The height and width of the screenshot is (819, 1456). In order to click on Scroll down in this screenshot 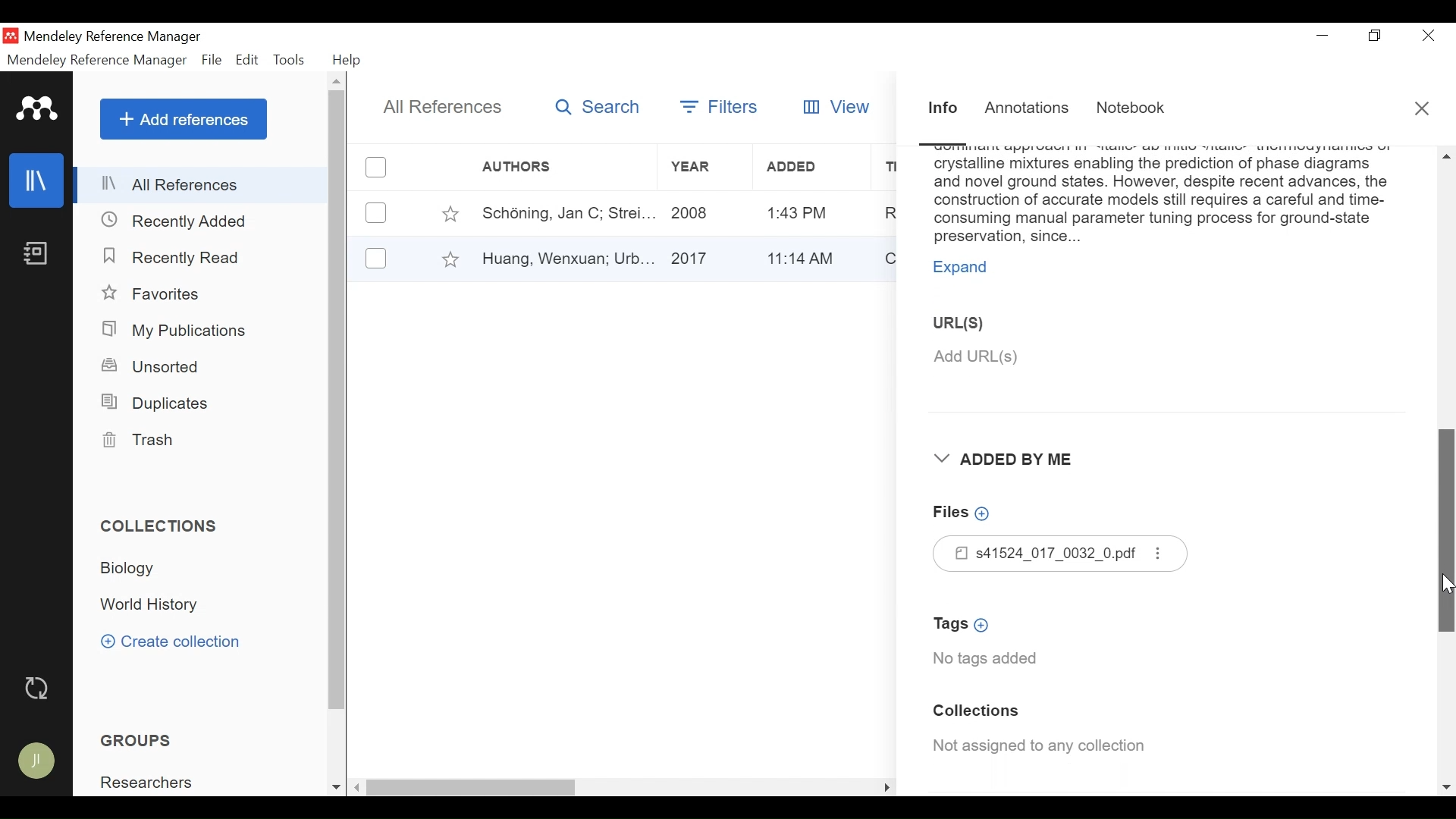, I will do `click(1447, 789)`.